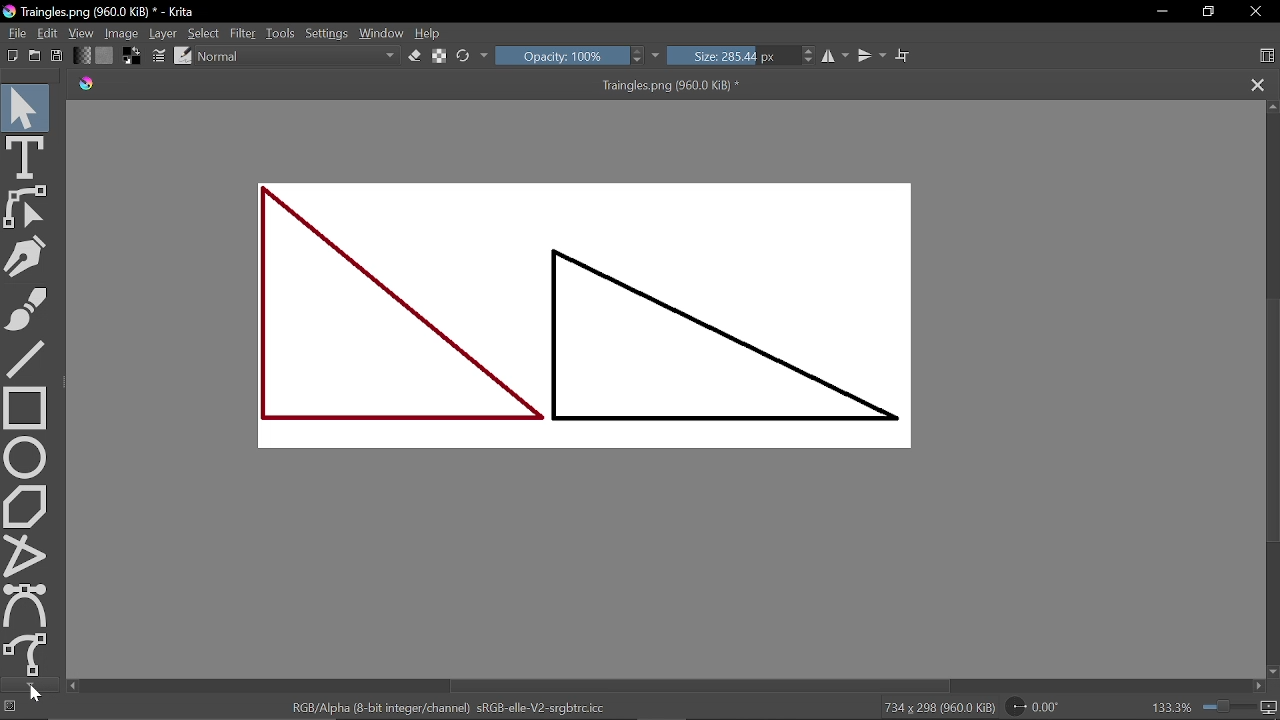  What do you see at coordinates (706, 685) in the screenshot?
I see `Horizontal scroll` at bounding box center [706, 685].